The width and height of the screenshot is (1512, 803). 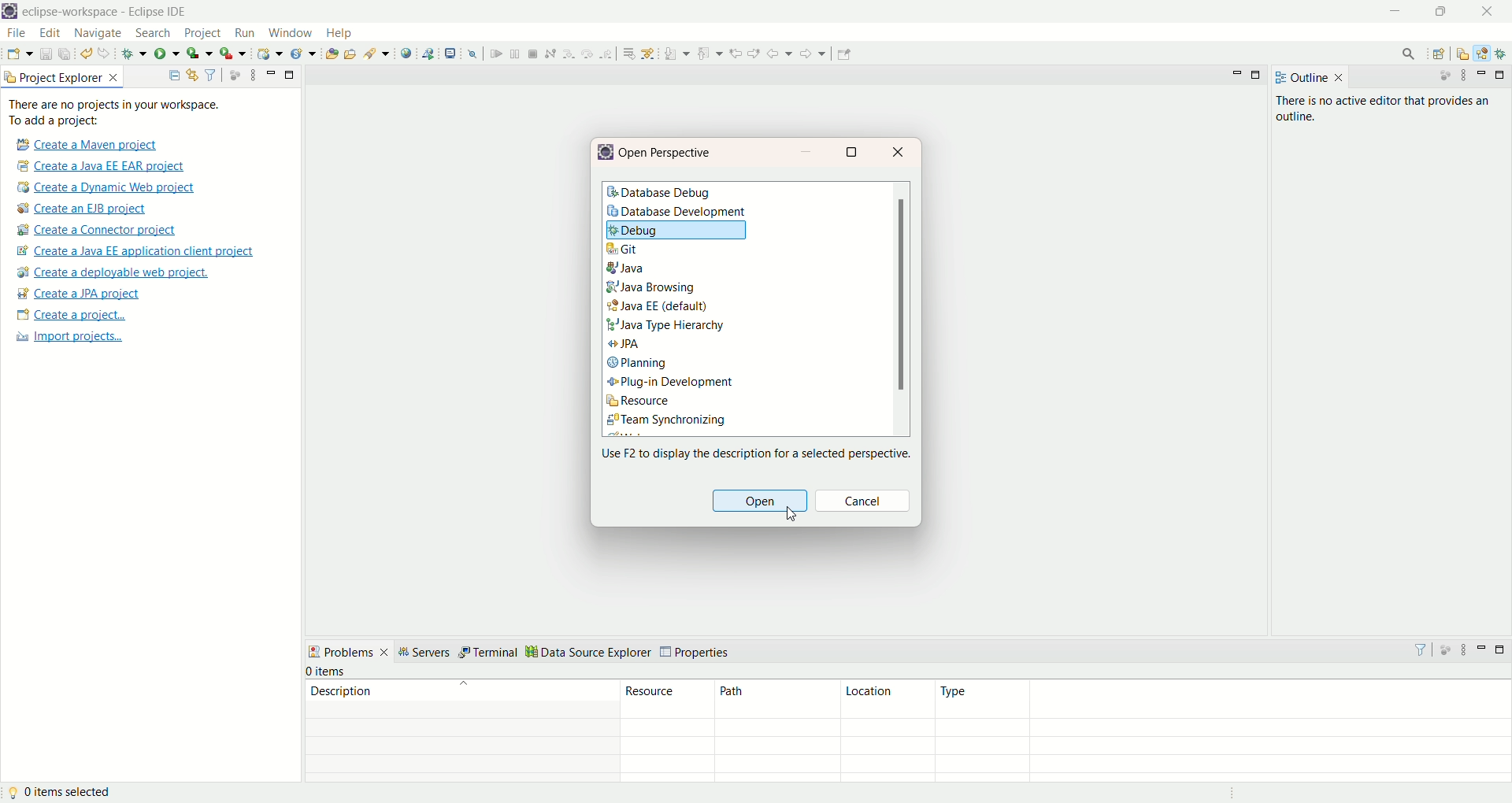 I want to click on resume, so click(x=495, y=54).